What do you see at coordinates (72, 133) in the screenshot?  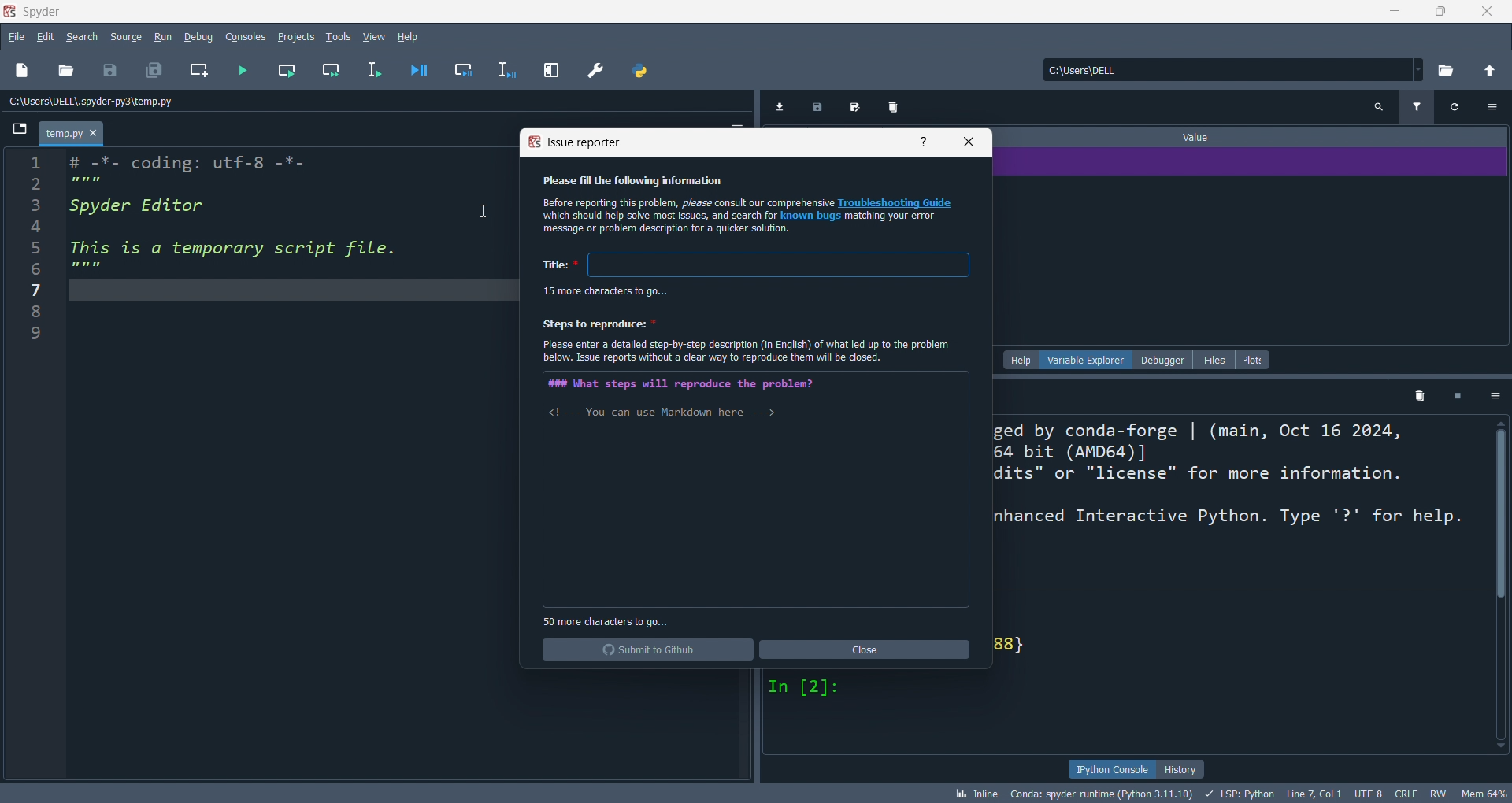 I see `Temp.py` at bounding box center [72, 133].